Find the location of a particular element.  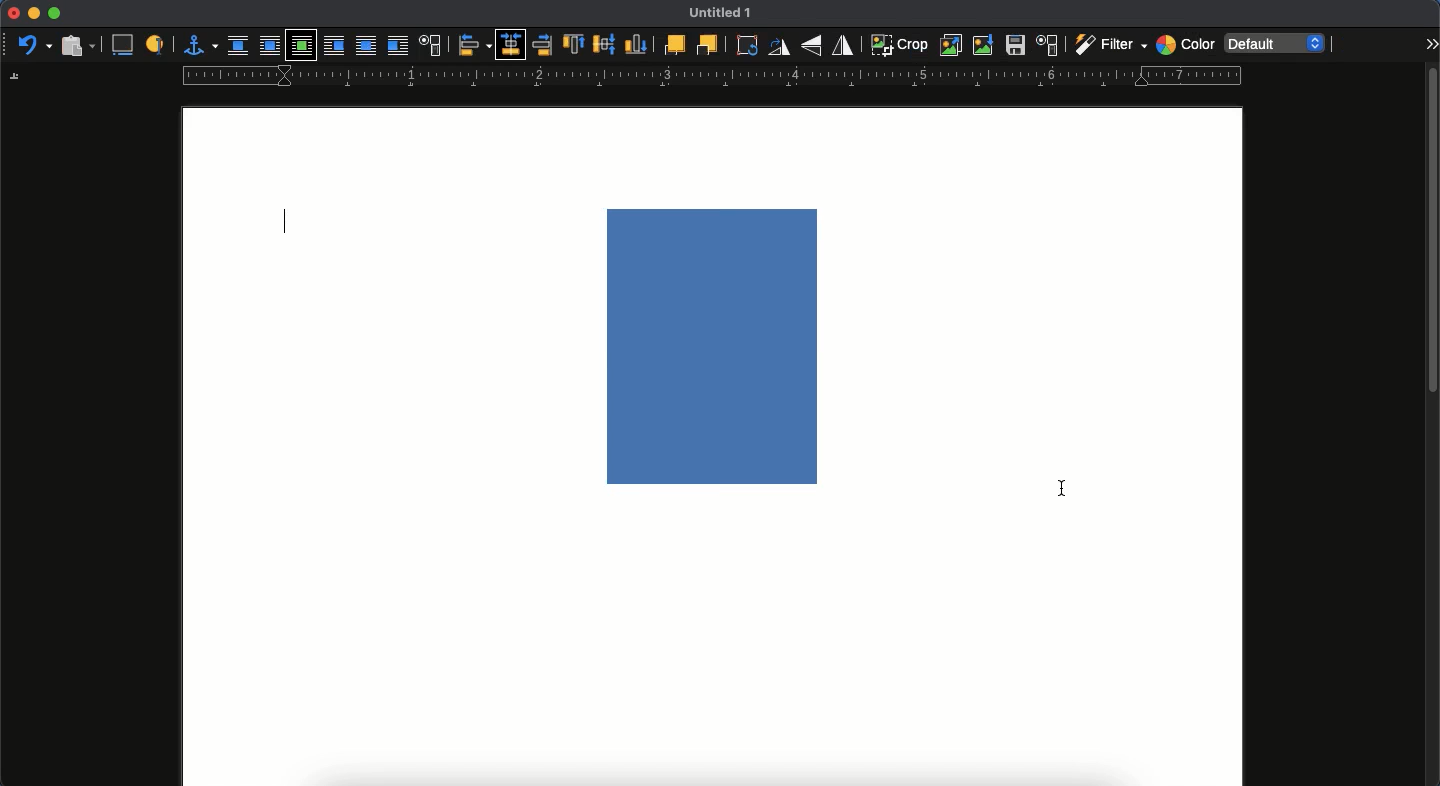

scroll is located at coordinates (1433, 429).